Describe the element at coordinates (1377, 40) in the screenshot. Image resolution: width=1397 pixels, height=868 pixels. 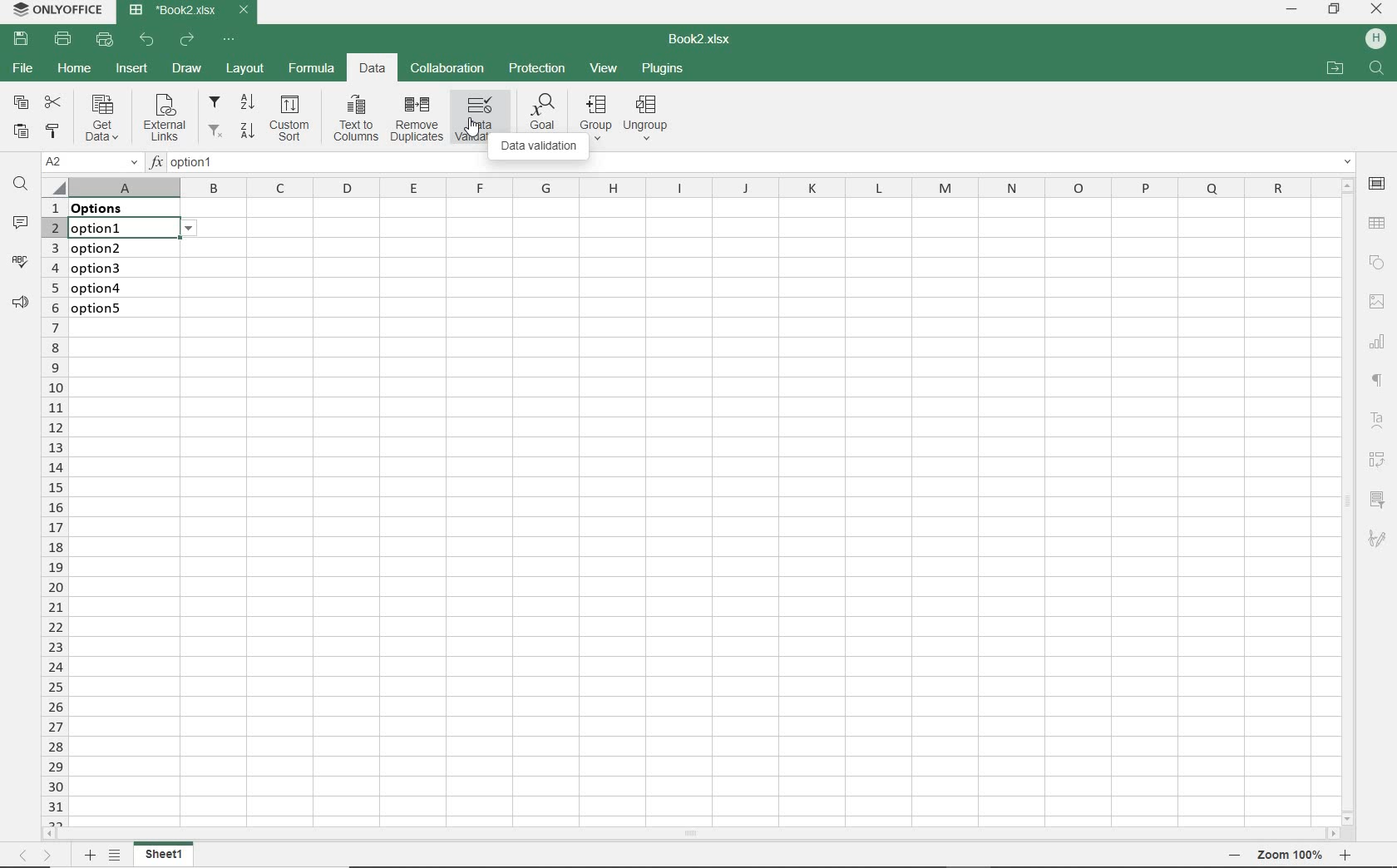
I see `HP` at that location.